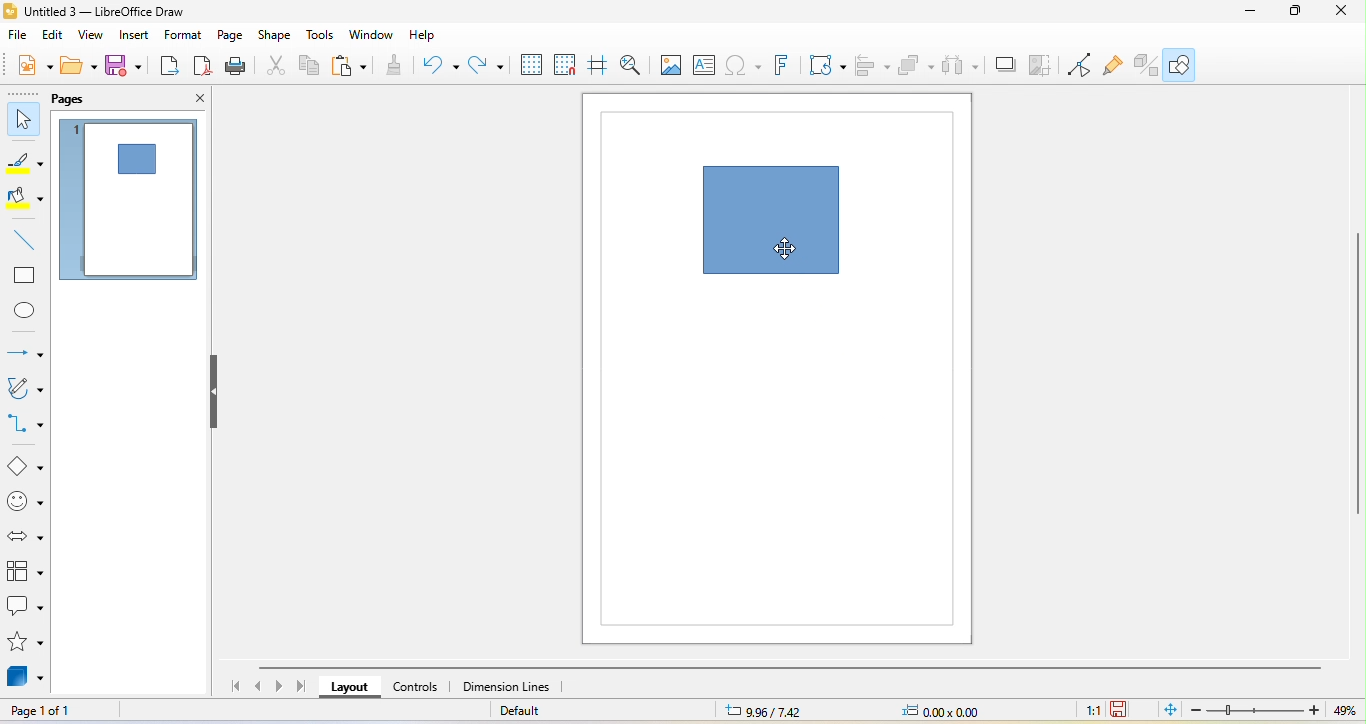  Describe the element at coordinates (257, 686) in the screenshot. I see `previous page` at that location.